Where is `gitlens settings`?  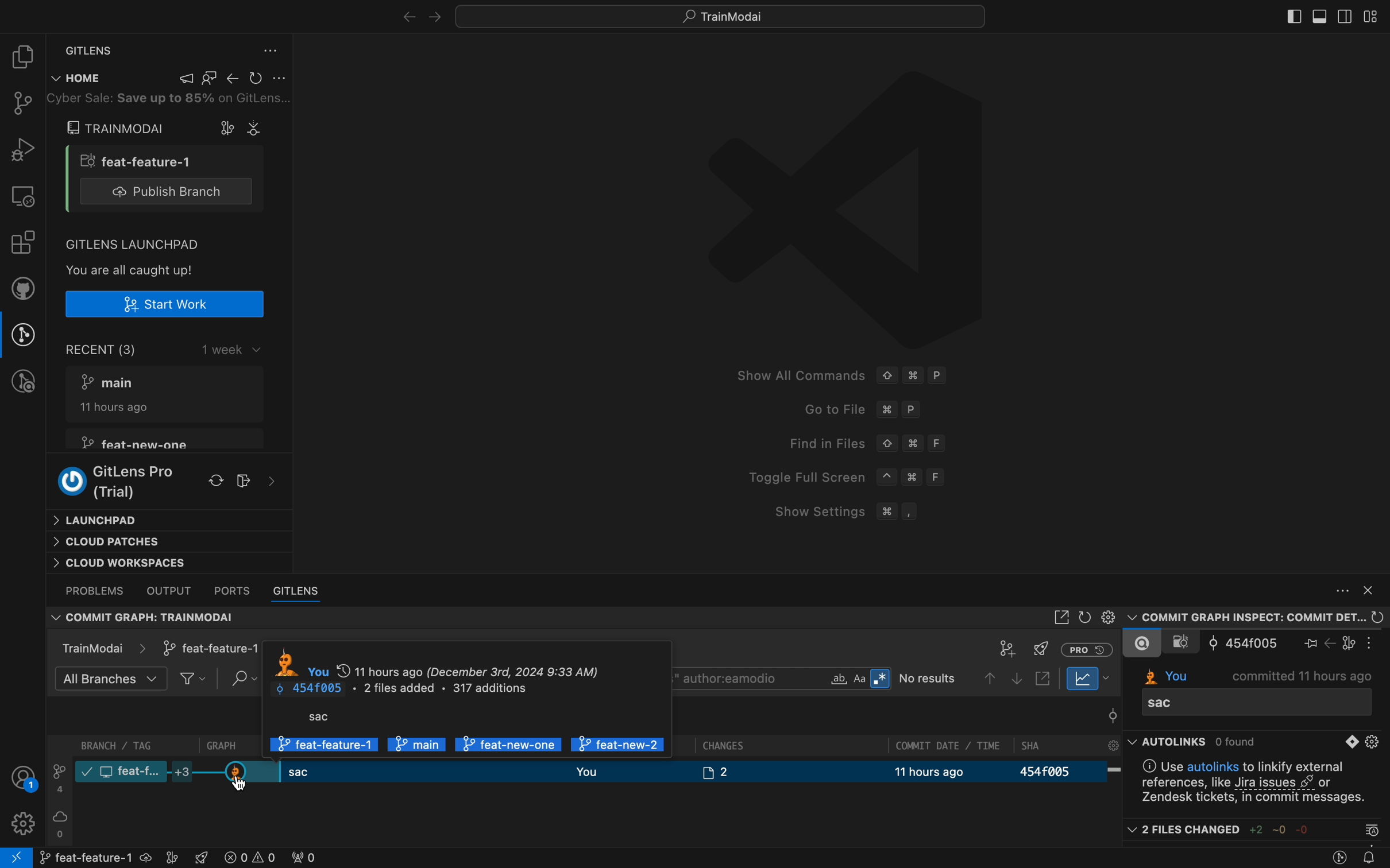 gitlens settings is located at coordinates (272, 50).